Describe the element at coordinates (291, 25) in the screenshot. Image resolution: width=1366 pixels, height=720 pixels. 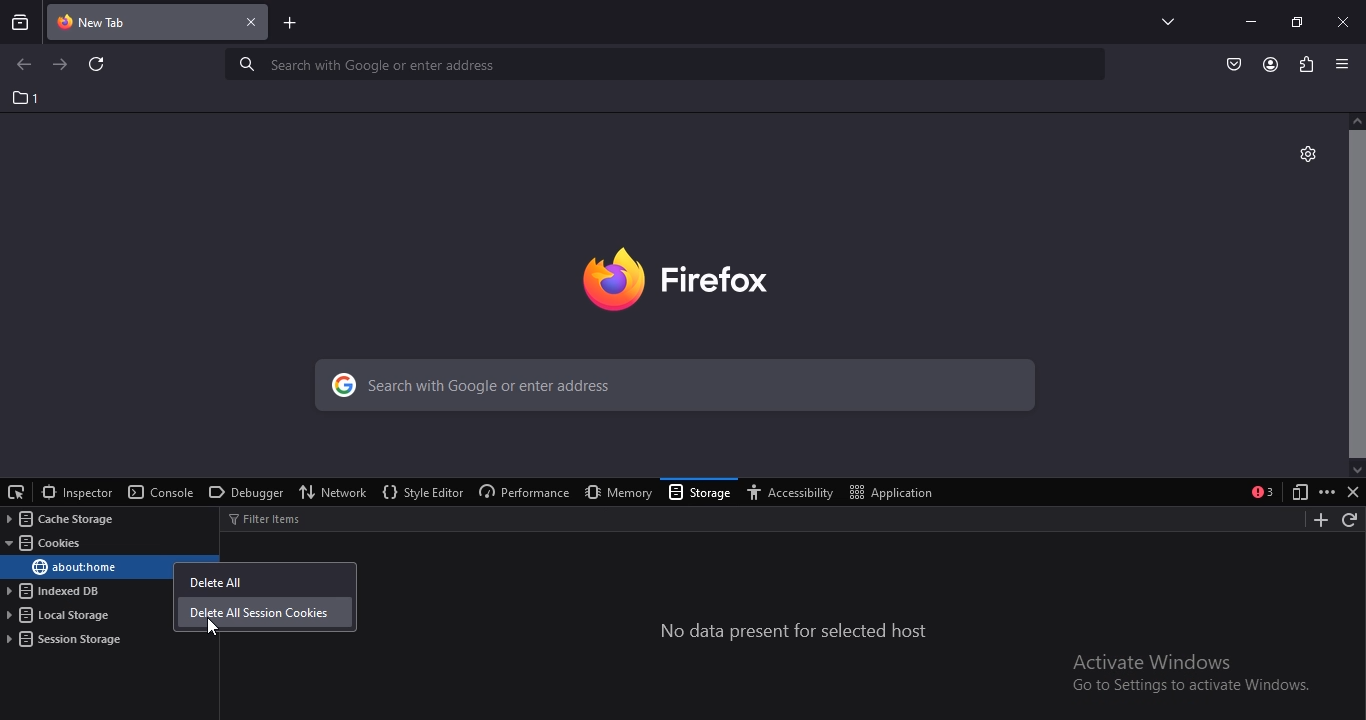
I see `new tab` at that location.